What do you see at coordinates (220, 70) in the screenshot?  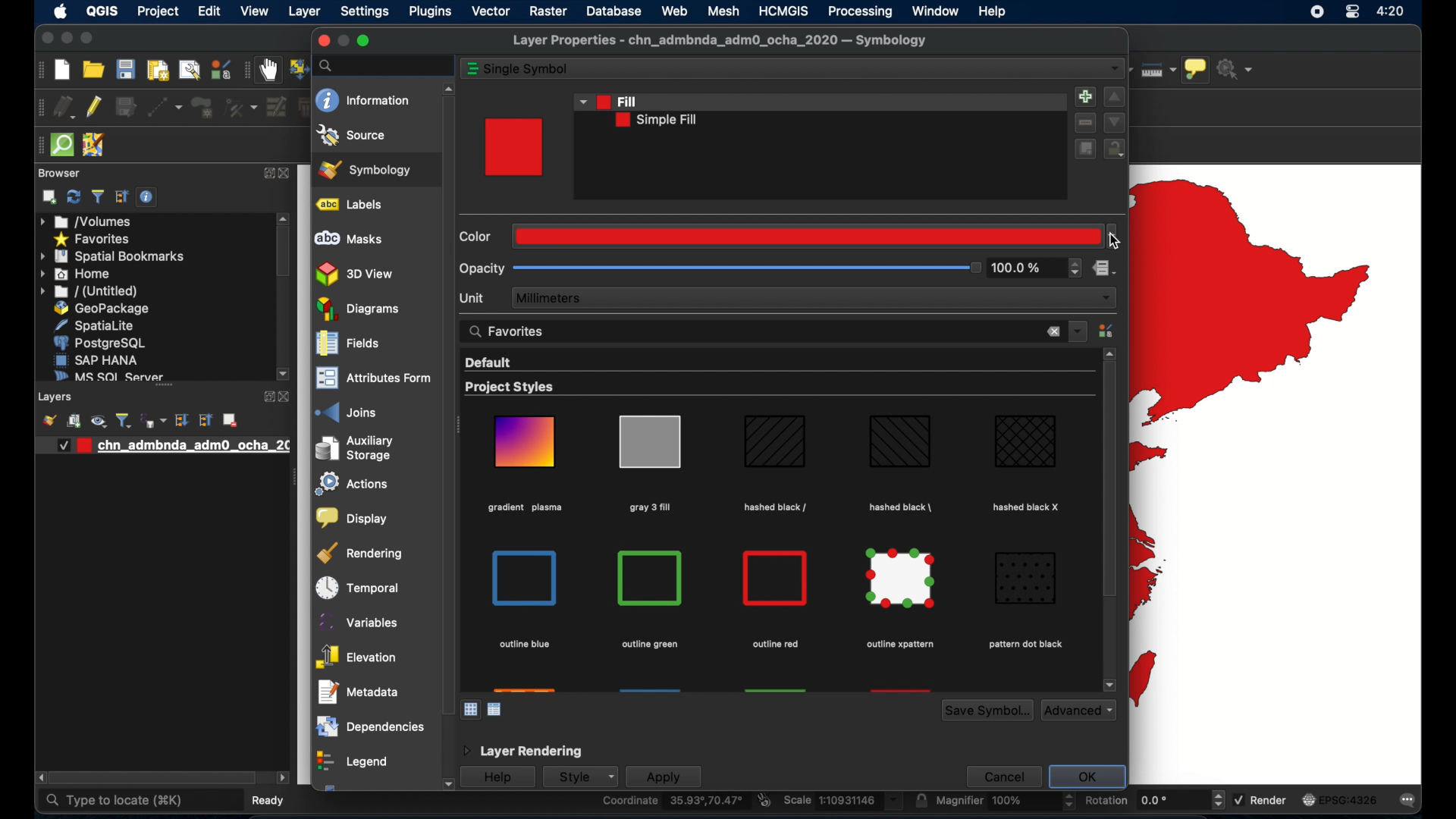 I see `style manager` at bounding box center [220, 70].